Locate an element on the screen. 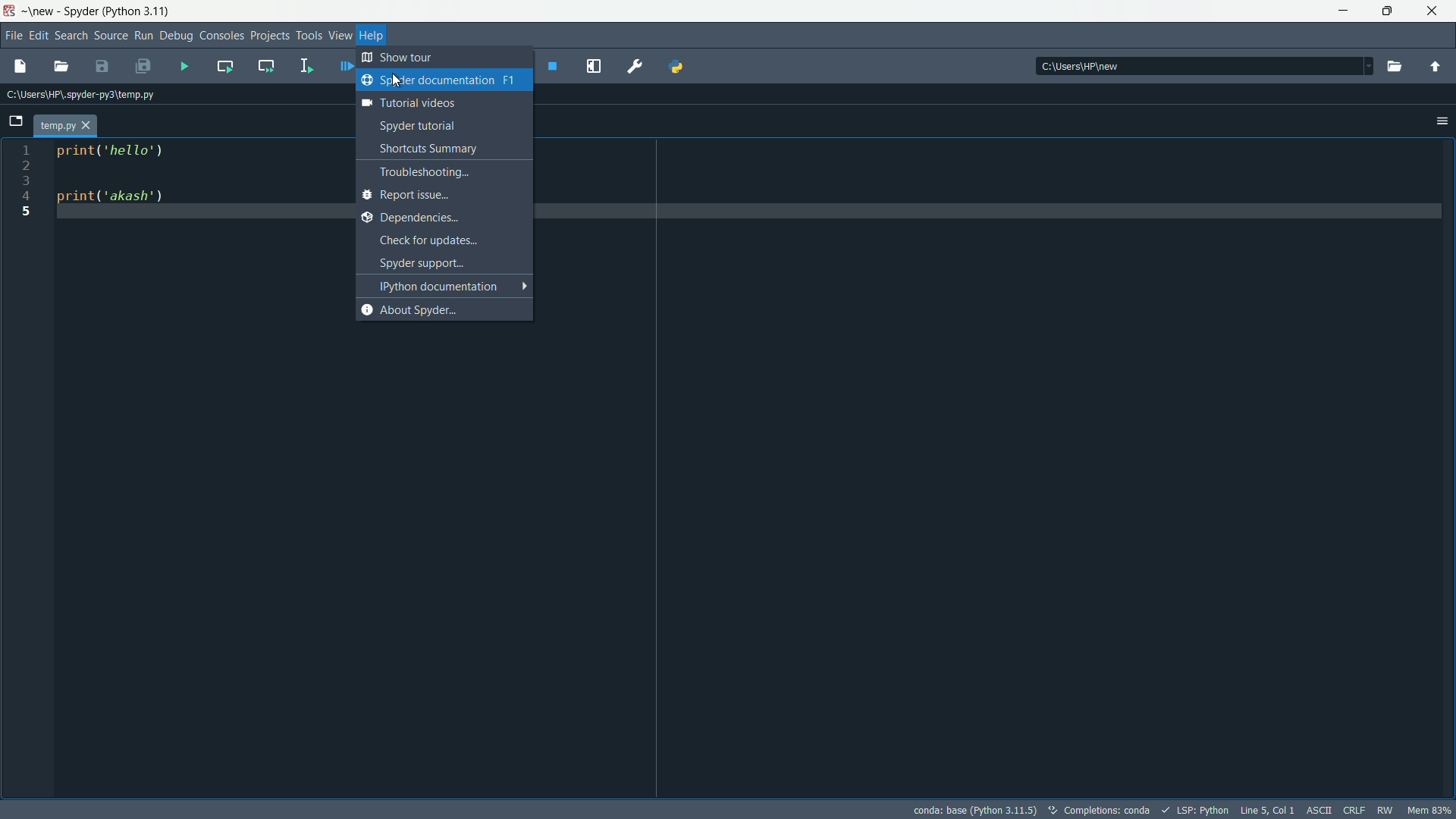 This screenshot has height=819, width=1456. run selection is located at coordinates (304, 66).